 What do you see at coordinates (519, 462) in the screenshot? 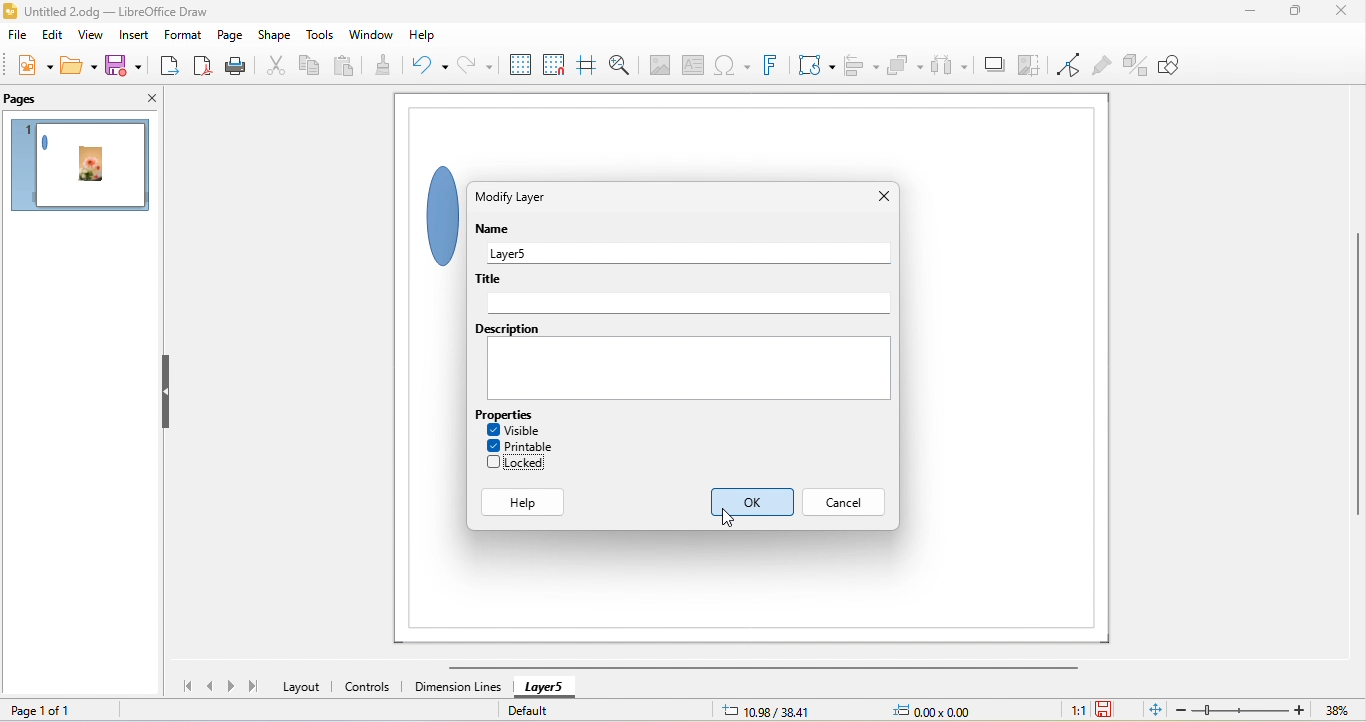
I see `disable lock option` at bounding box center [519, 462].